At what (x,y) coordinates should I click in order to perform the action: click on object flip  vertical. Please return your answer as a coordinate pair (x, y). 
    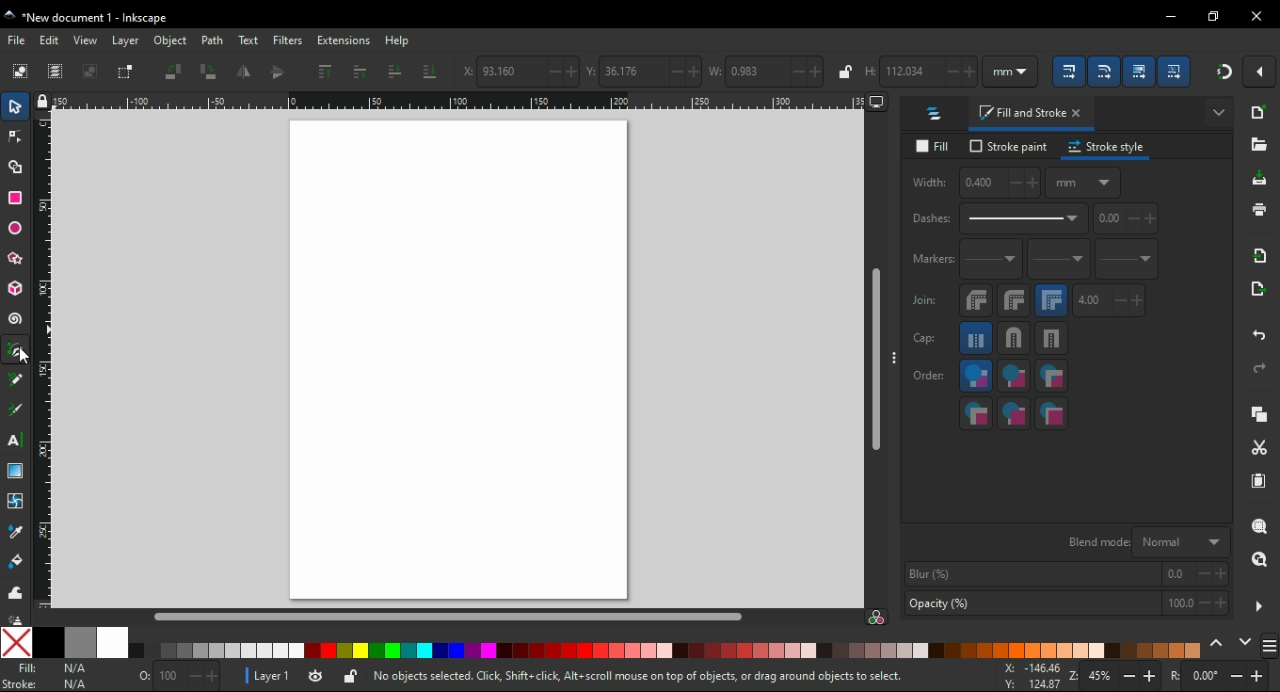
    Looking at the image, I should click on (278, 71).